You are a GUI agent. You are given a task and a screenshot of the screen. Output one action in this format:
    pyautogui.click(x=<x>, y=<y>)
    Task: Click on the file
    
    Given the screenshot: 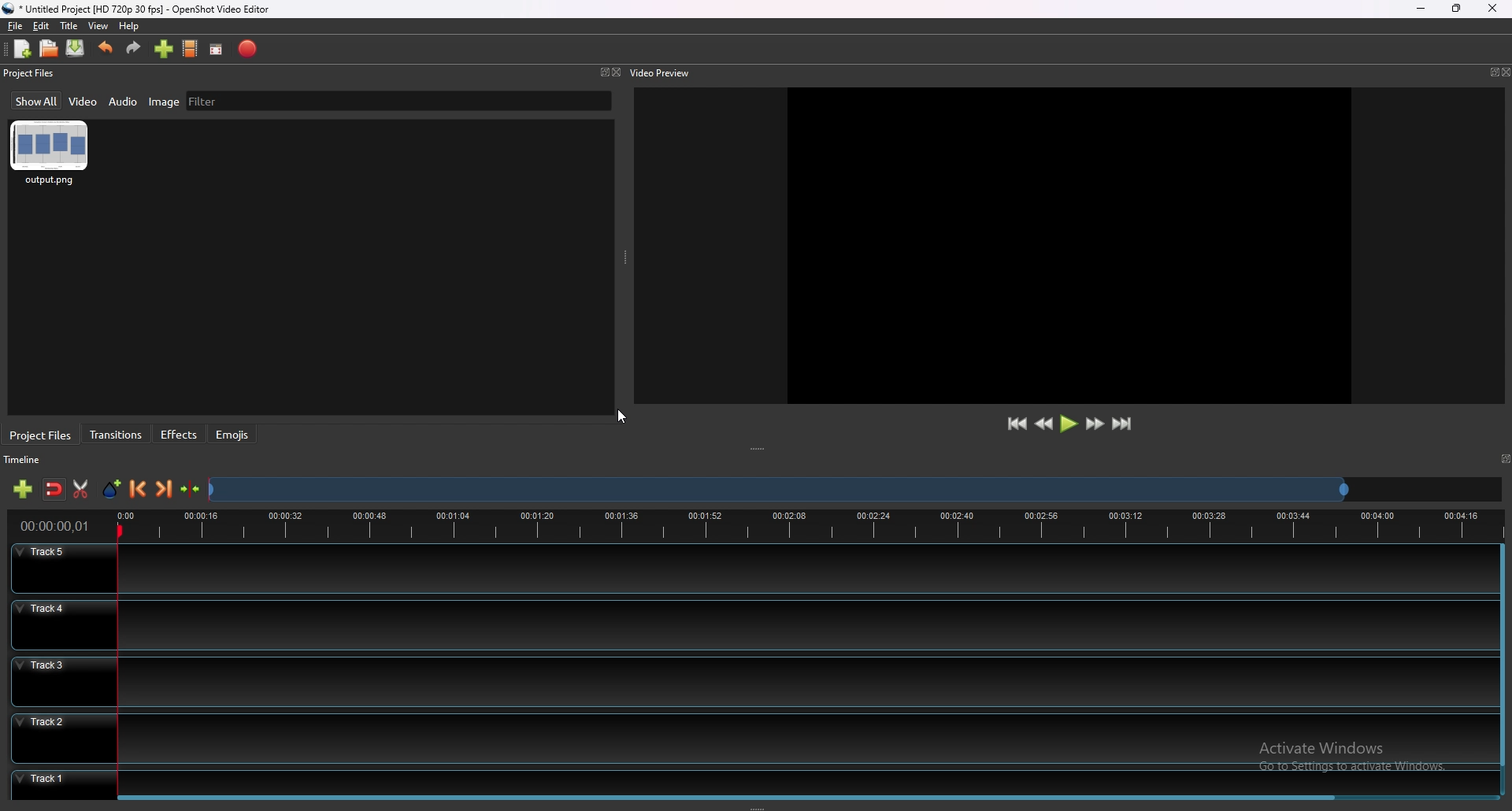 What is the action you would take?
    pyautogui.click(x=17, y=25)
    